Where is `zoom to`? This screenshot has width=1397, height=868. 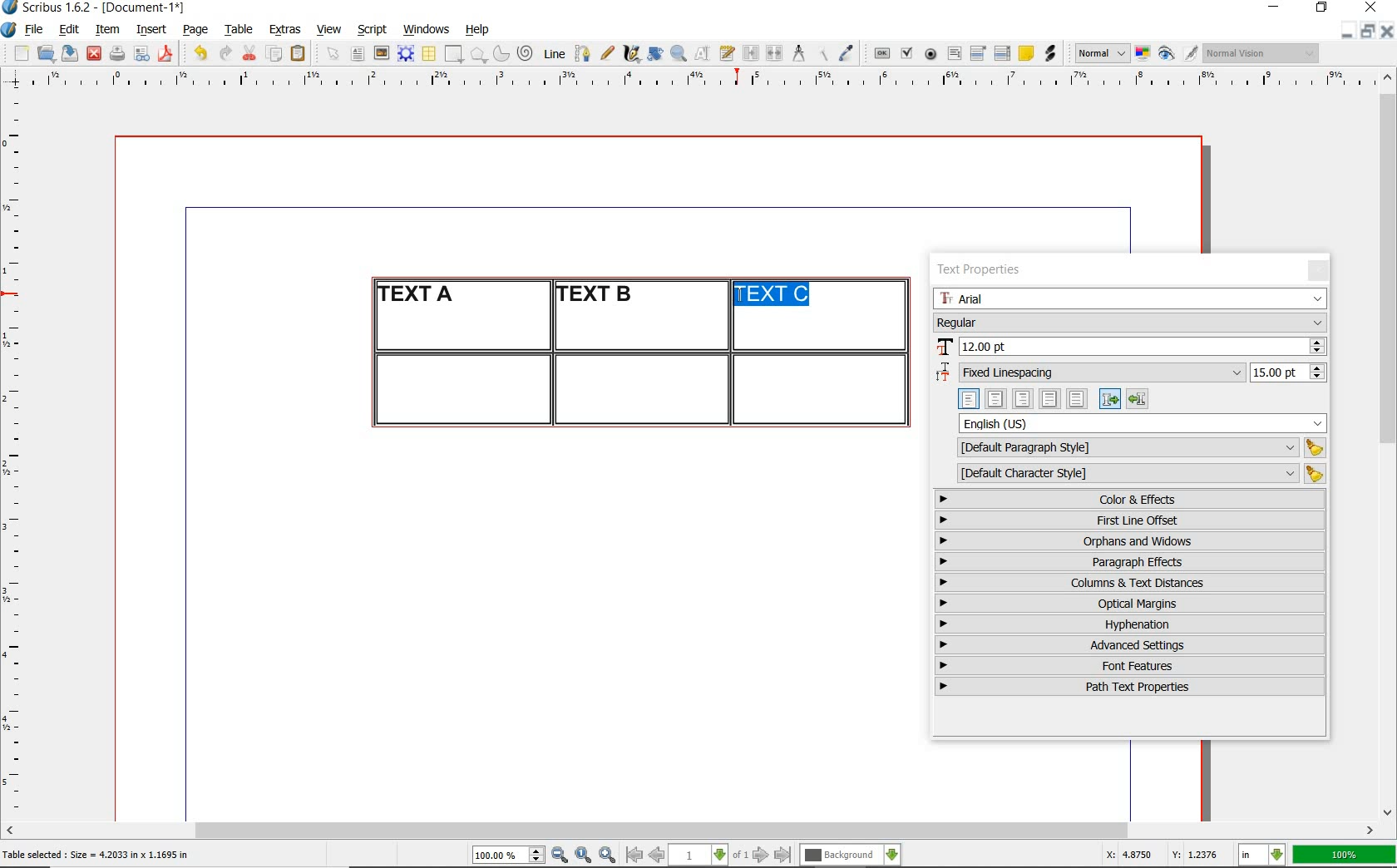
zoom to is located at coordinates (584, 856).